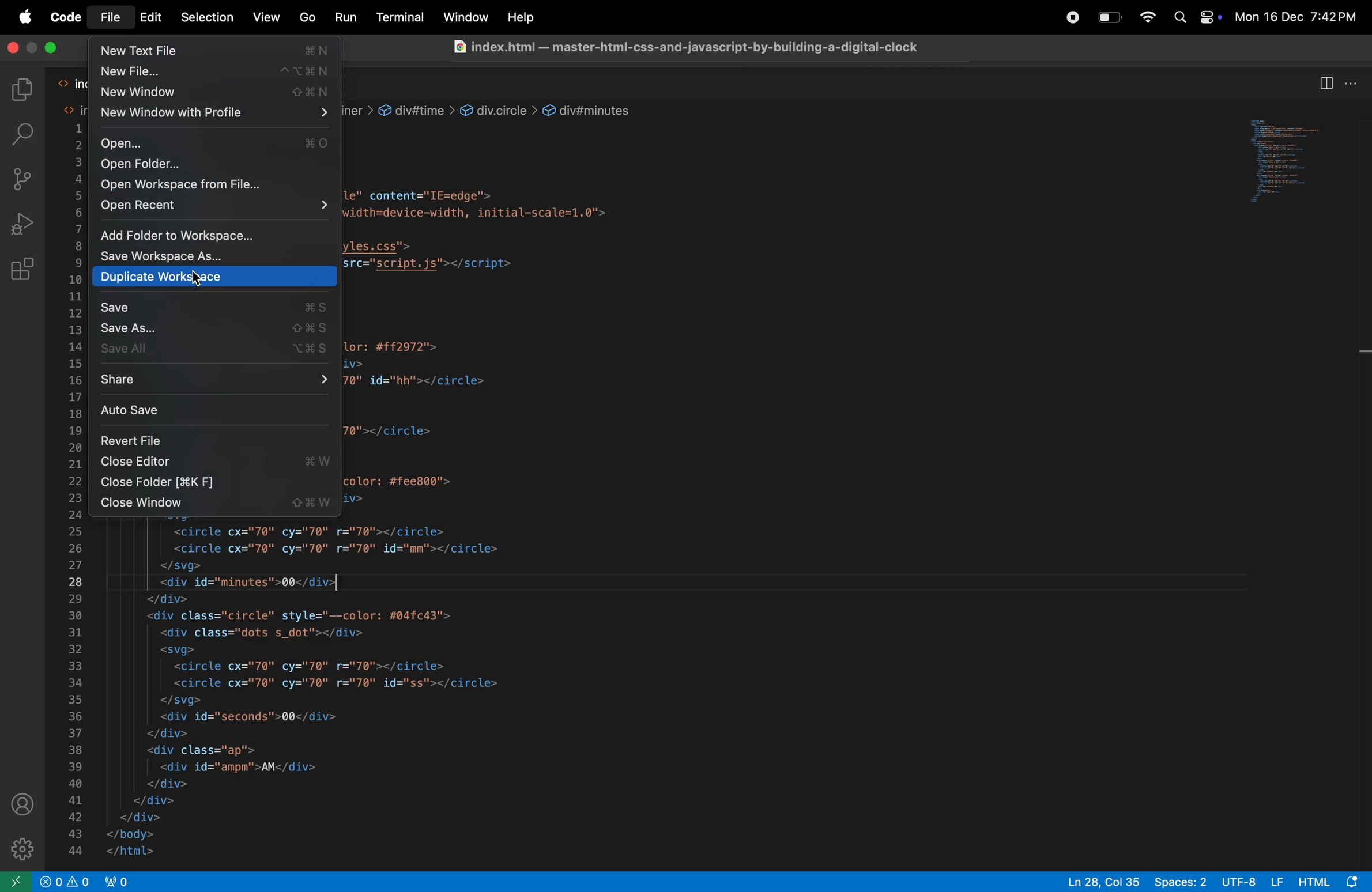  Describe the element at coordinates (74, 488) in the screenshot. I see `line number` at that location.